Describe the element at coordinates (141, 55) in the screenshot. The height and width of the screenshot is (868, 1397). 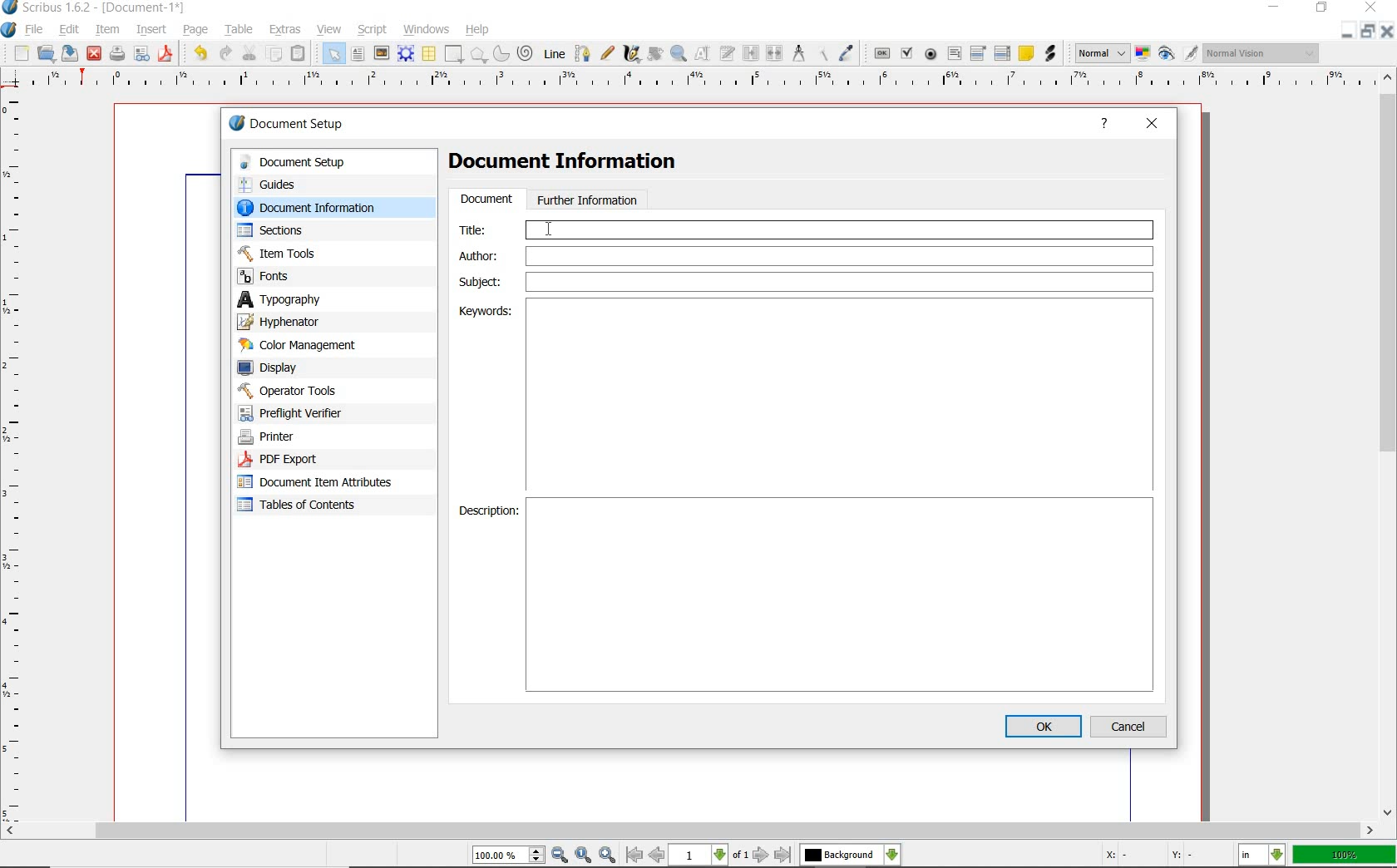
I see `preflight verifier` at that location.